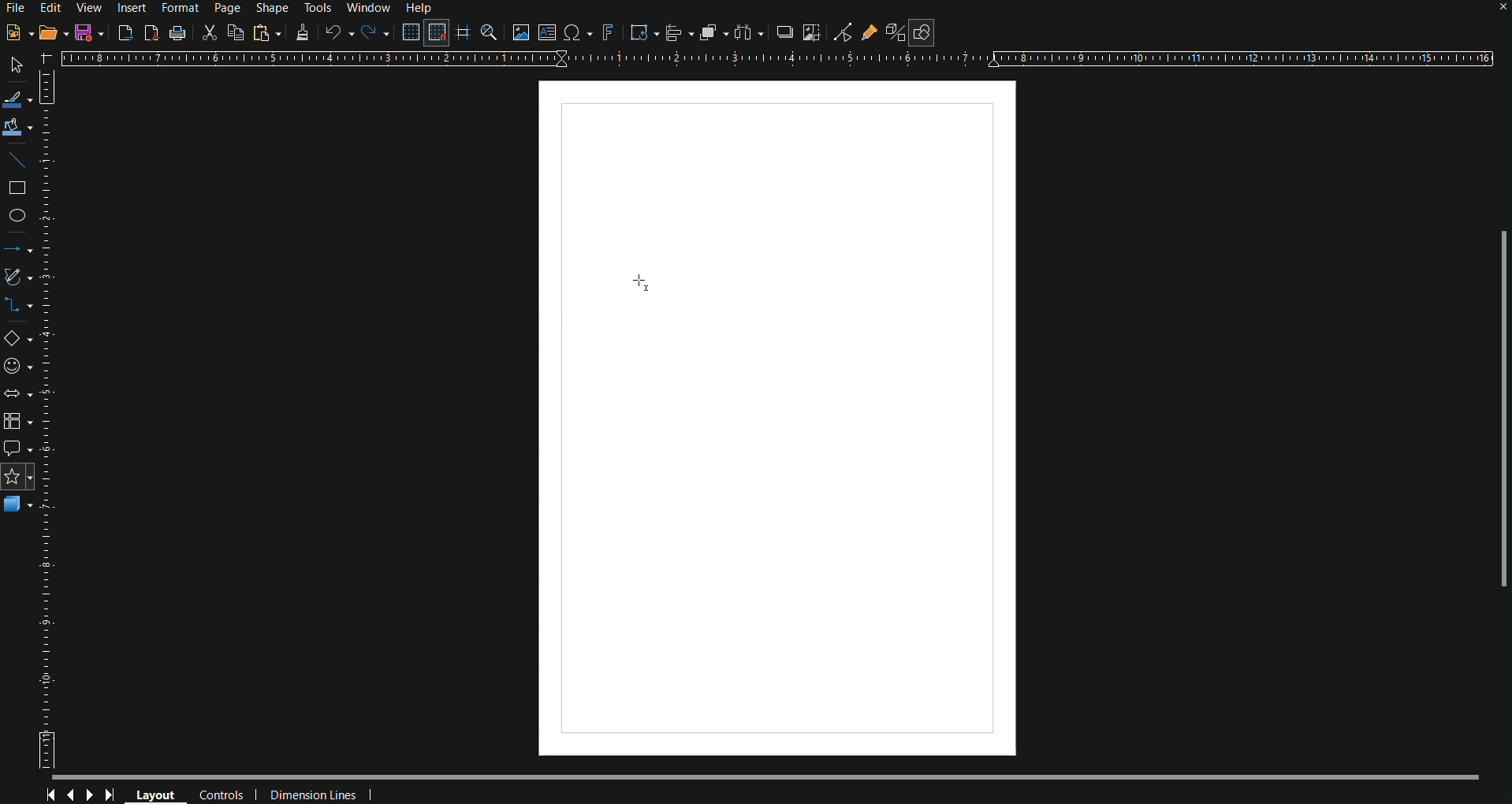 The width and height of the screenshot is (1512, 804). Describe the element at coordinates (20, 280) in the screenshot. I see `Vectors` at that location.